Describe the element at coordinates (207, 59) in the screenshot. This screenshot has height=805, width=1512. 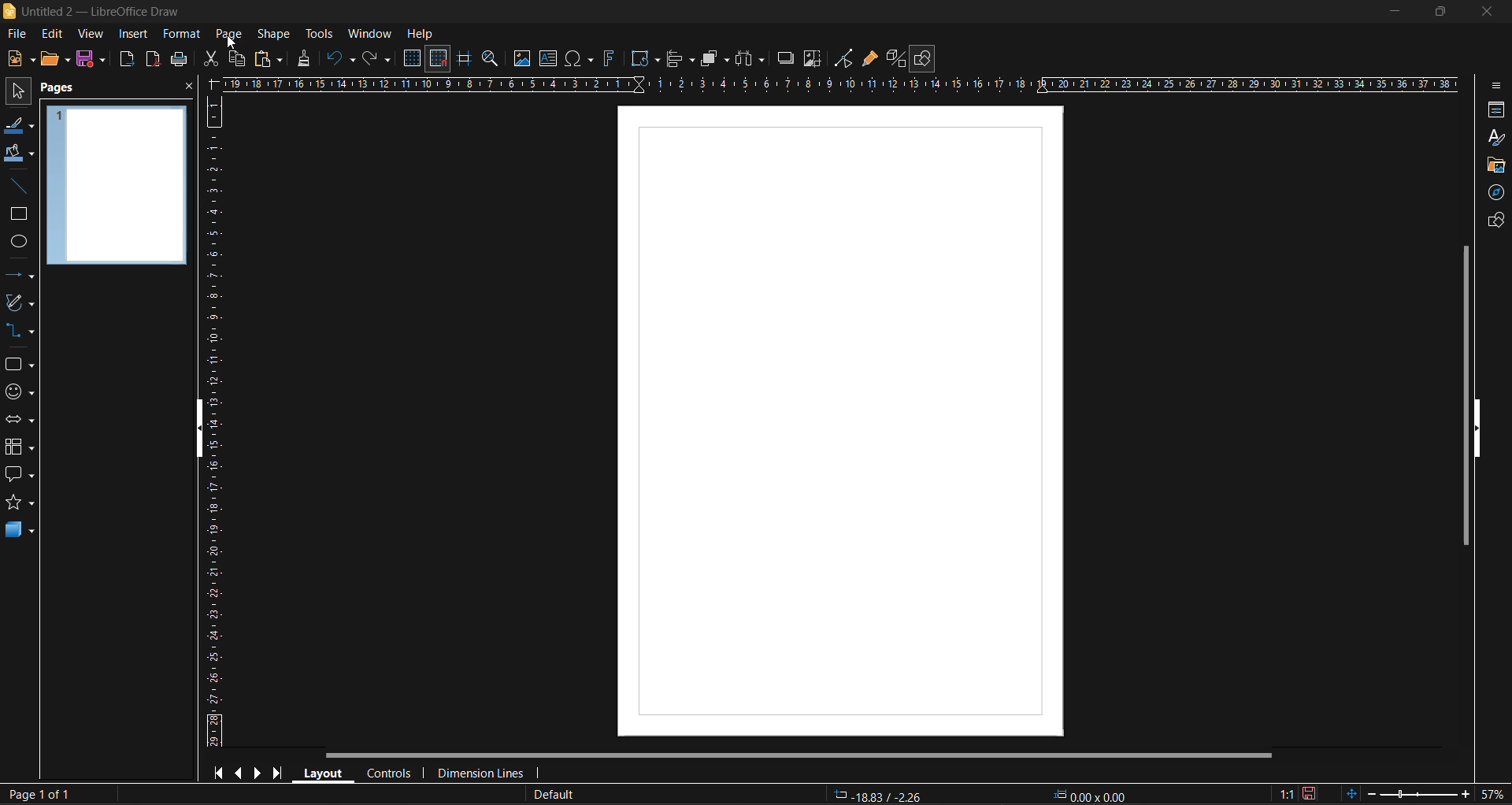
I see `cut` at that location.